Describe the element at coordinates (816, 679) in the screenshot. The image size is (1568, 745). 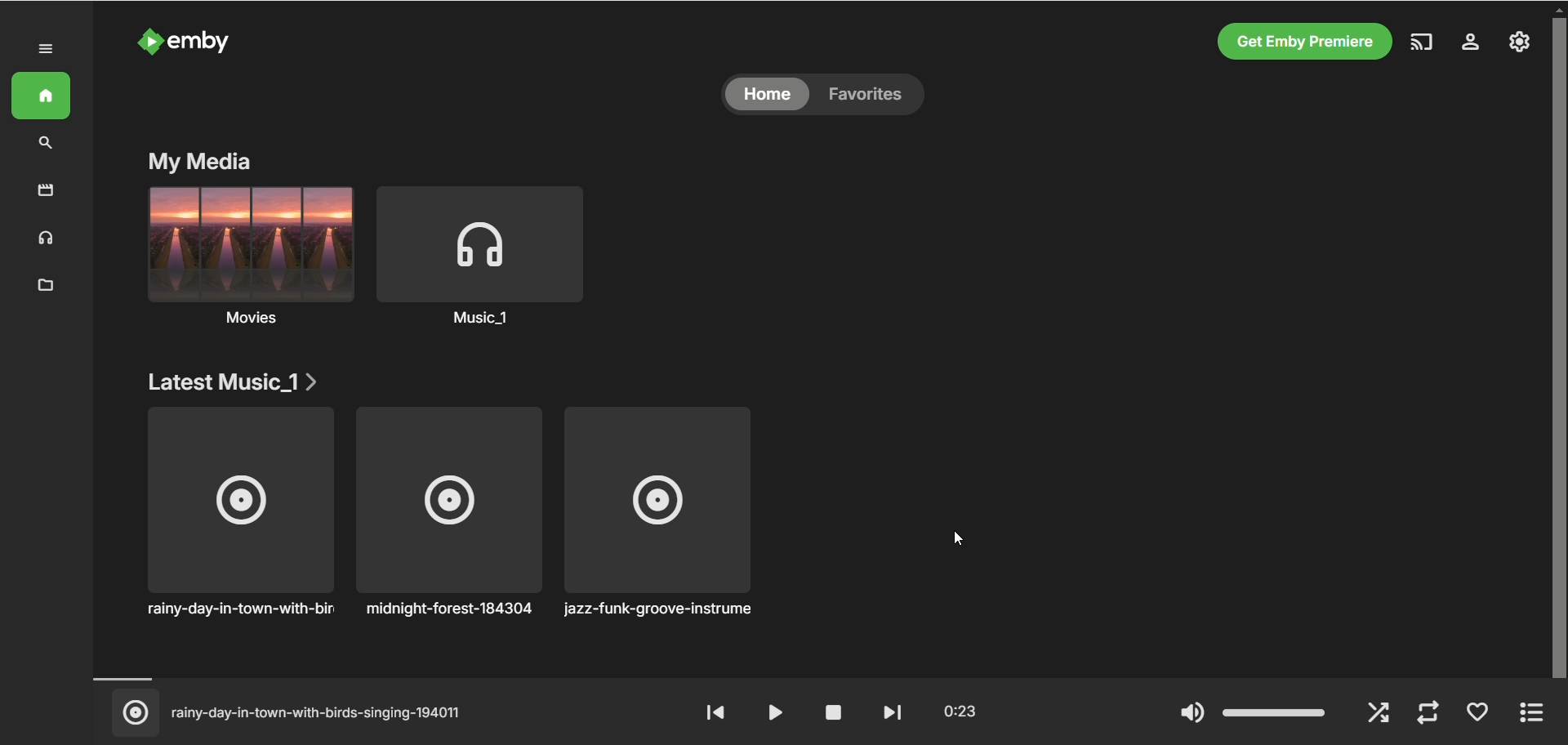
I see `timeline` at that location.